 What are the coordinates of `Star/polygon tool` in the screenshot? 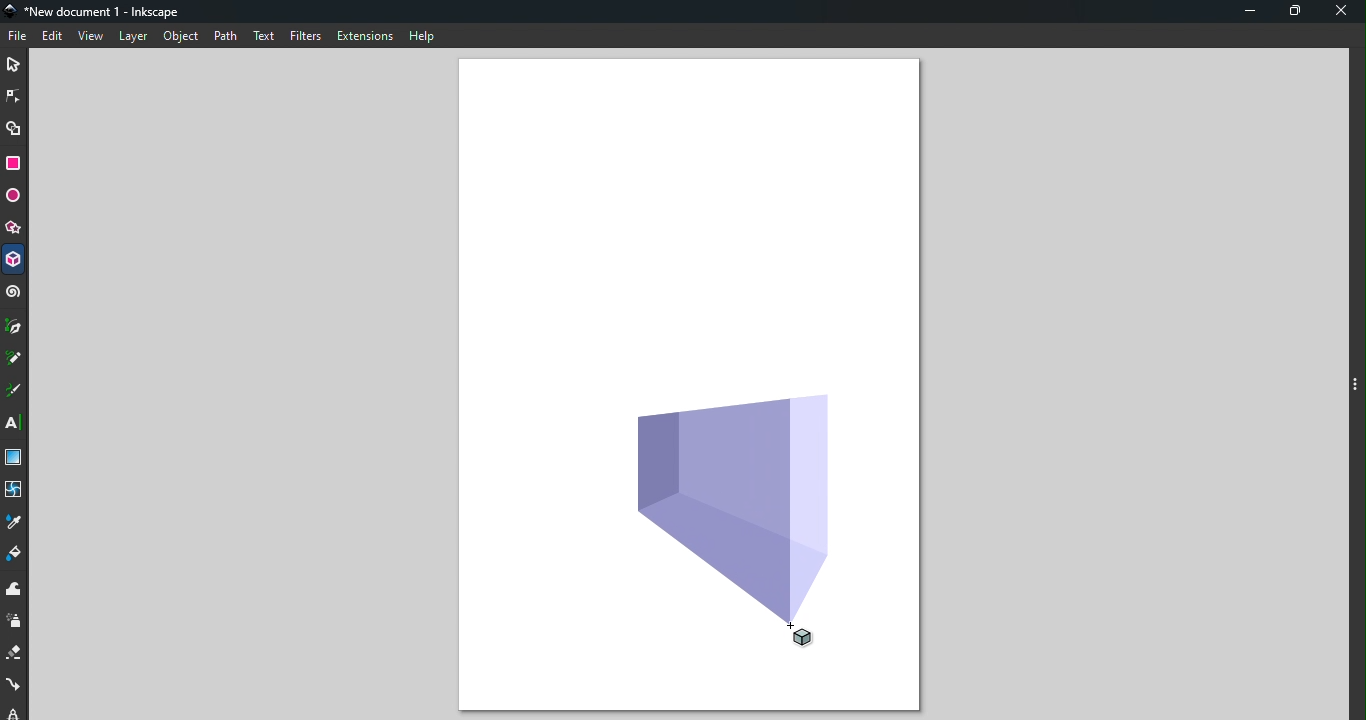 It's located at (15, 225).